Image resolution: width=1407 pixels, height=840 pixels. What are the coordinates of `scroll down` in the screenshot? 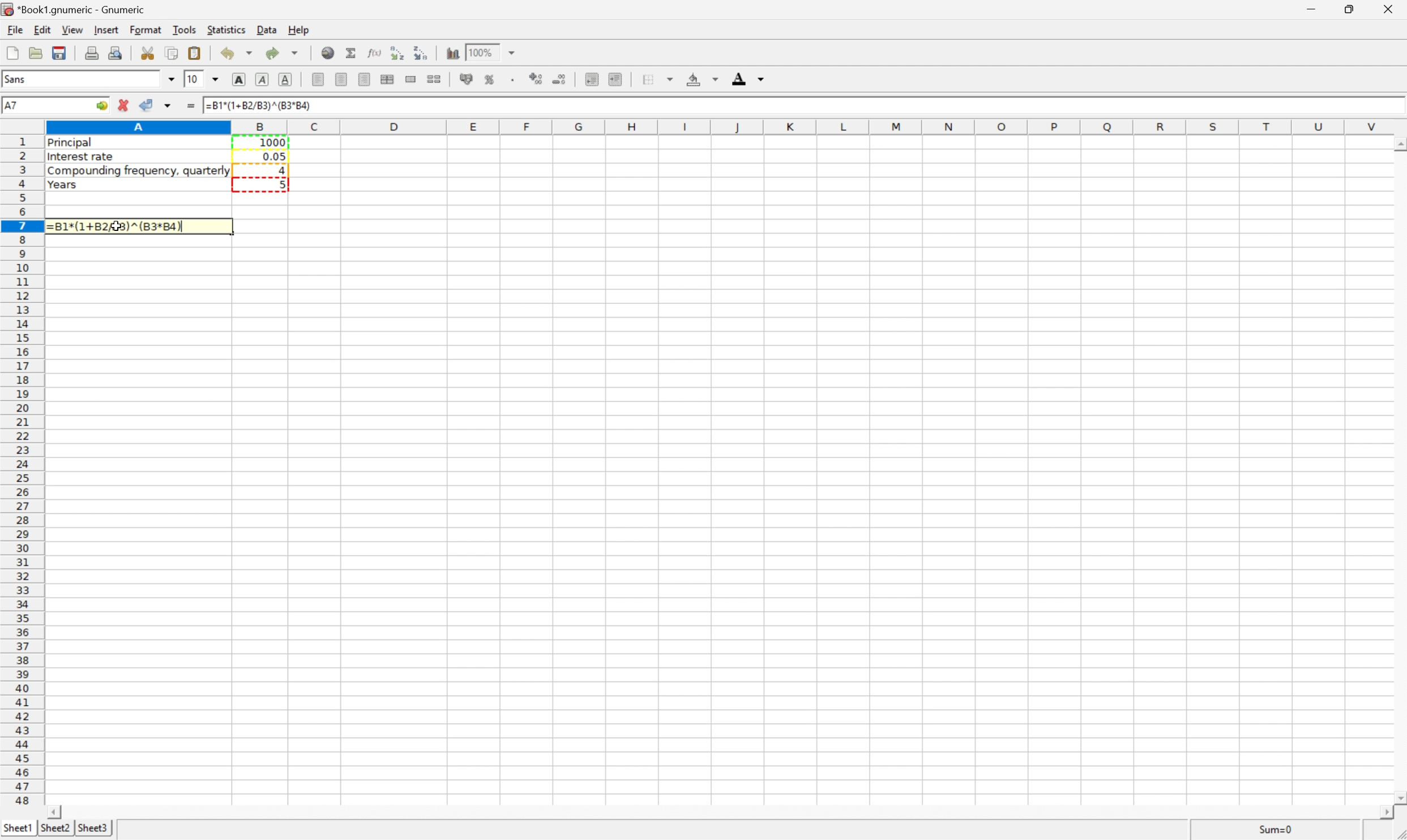 It's located at (1398, 794).